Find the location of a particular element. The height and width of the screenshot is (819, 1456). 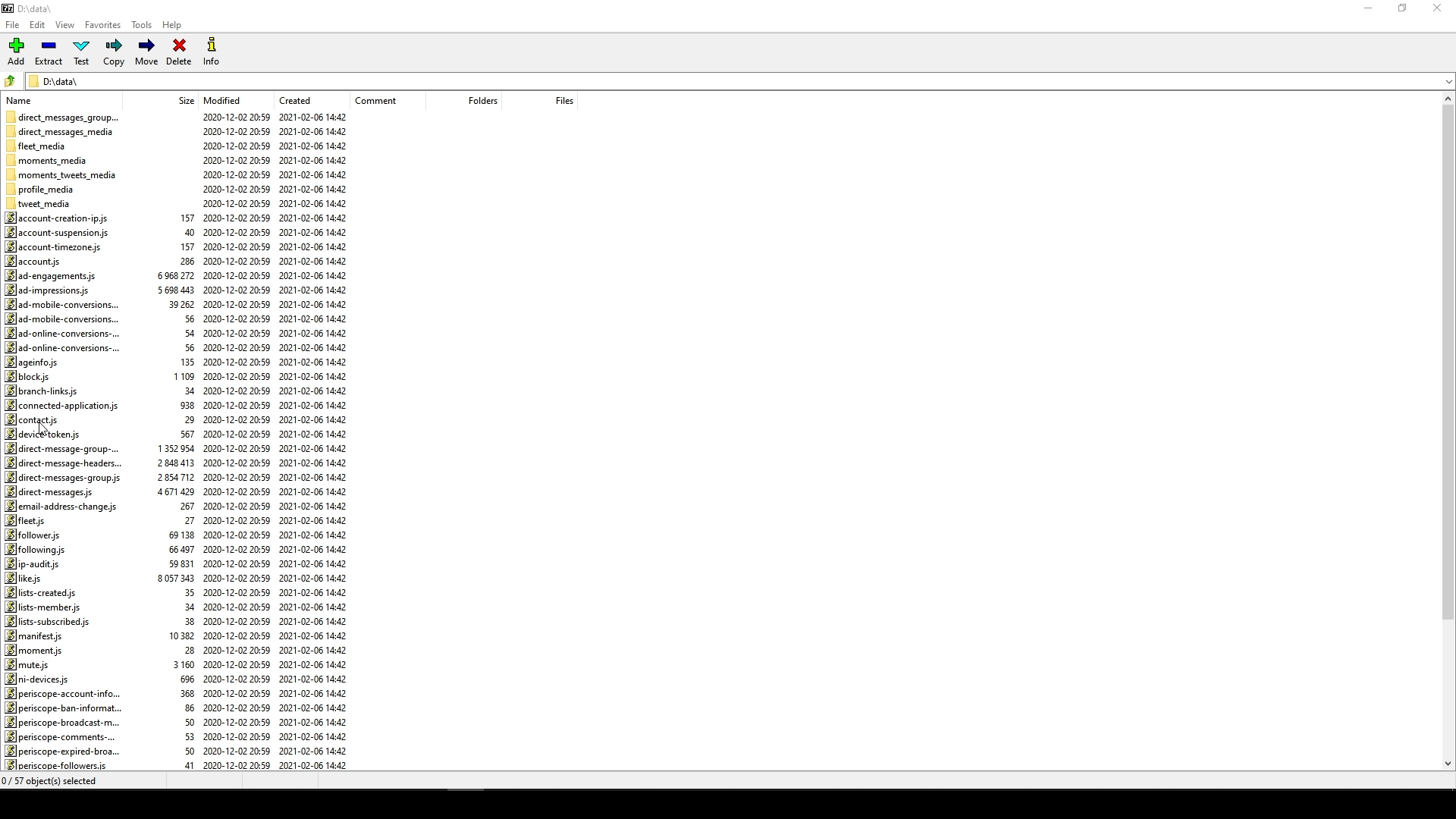

name is located at coordinates (24, 99).